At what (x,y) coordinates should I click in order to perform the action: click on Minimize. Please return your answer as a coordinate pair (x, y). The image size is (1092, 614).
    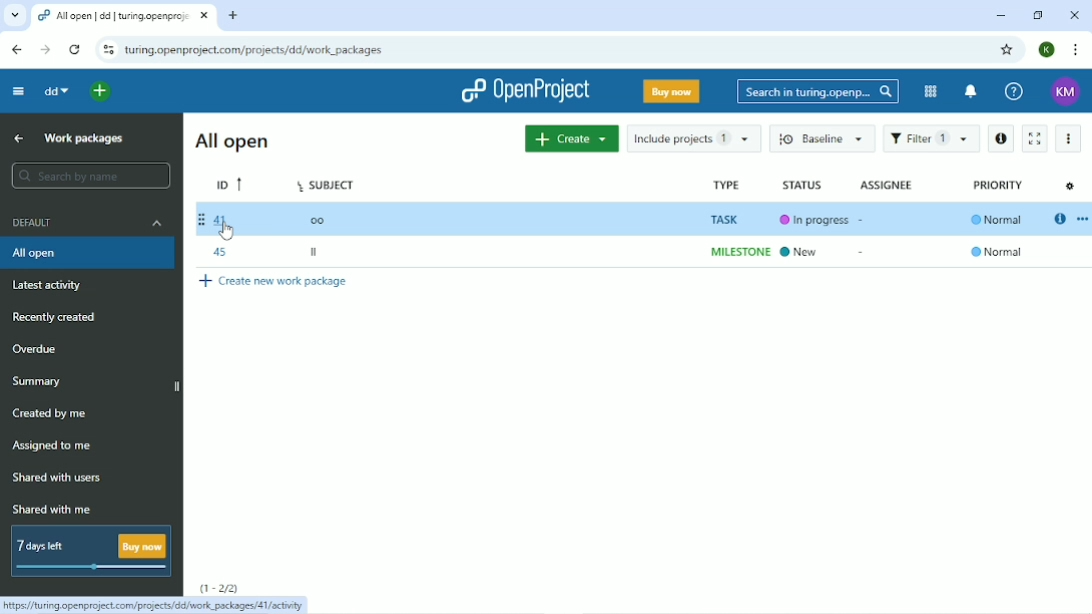
    Looking at the image, I should click on (1000, 14).